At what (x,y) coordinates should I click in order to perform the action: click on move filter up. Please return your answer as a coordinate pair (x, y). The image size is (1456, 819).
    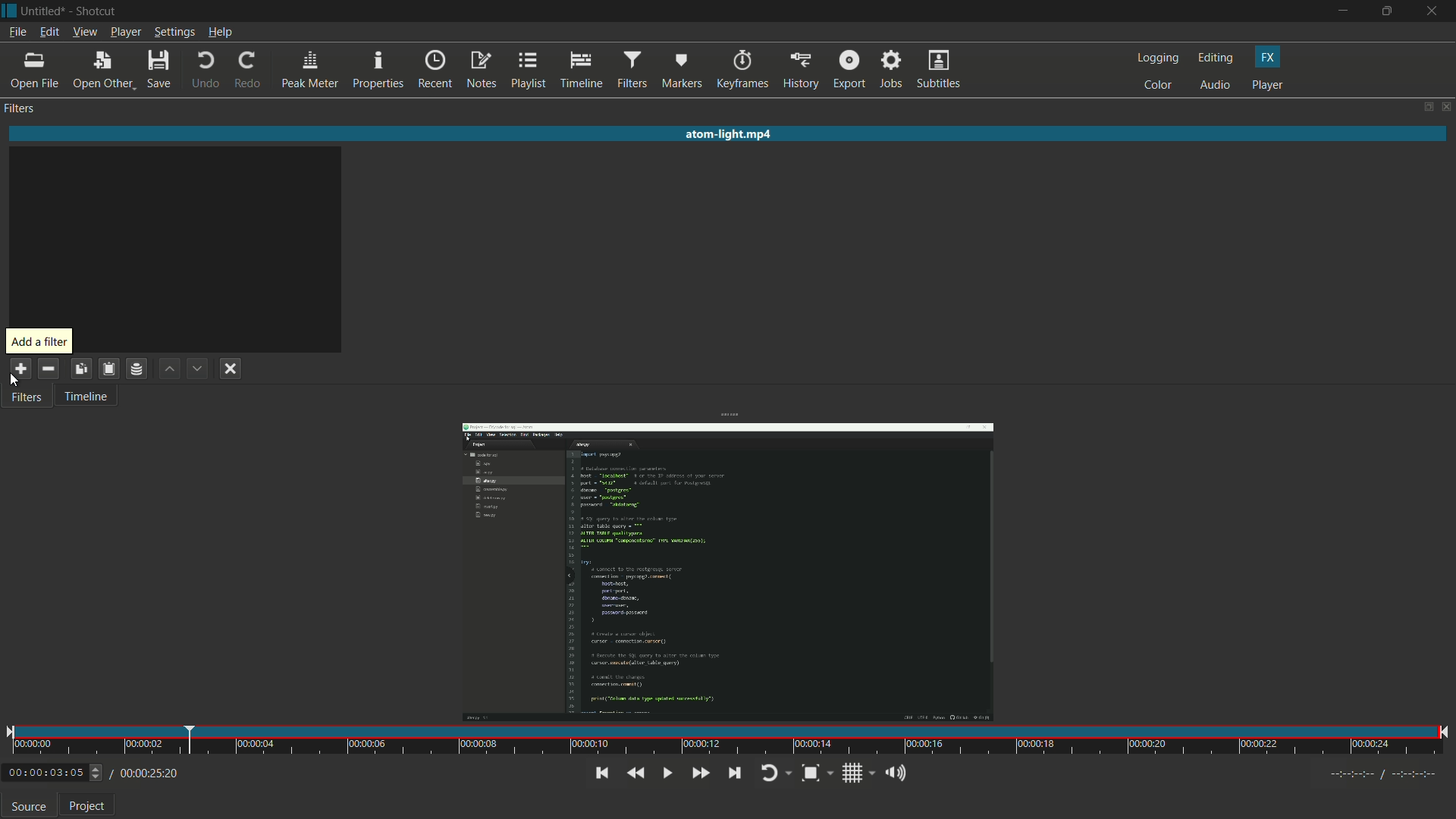
    Looking at the image, I should click on (168, 369).